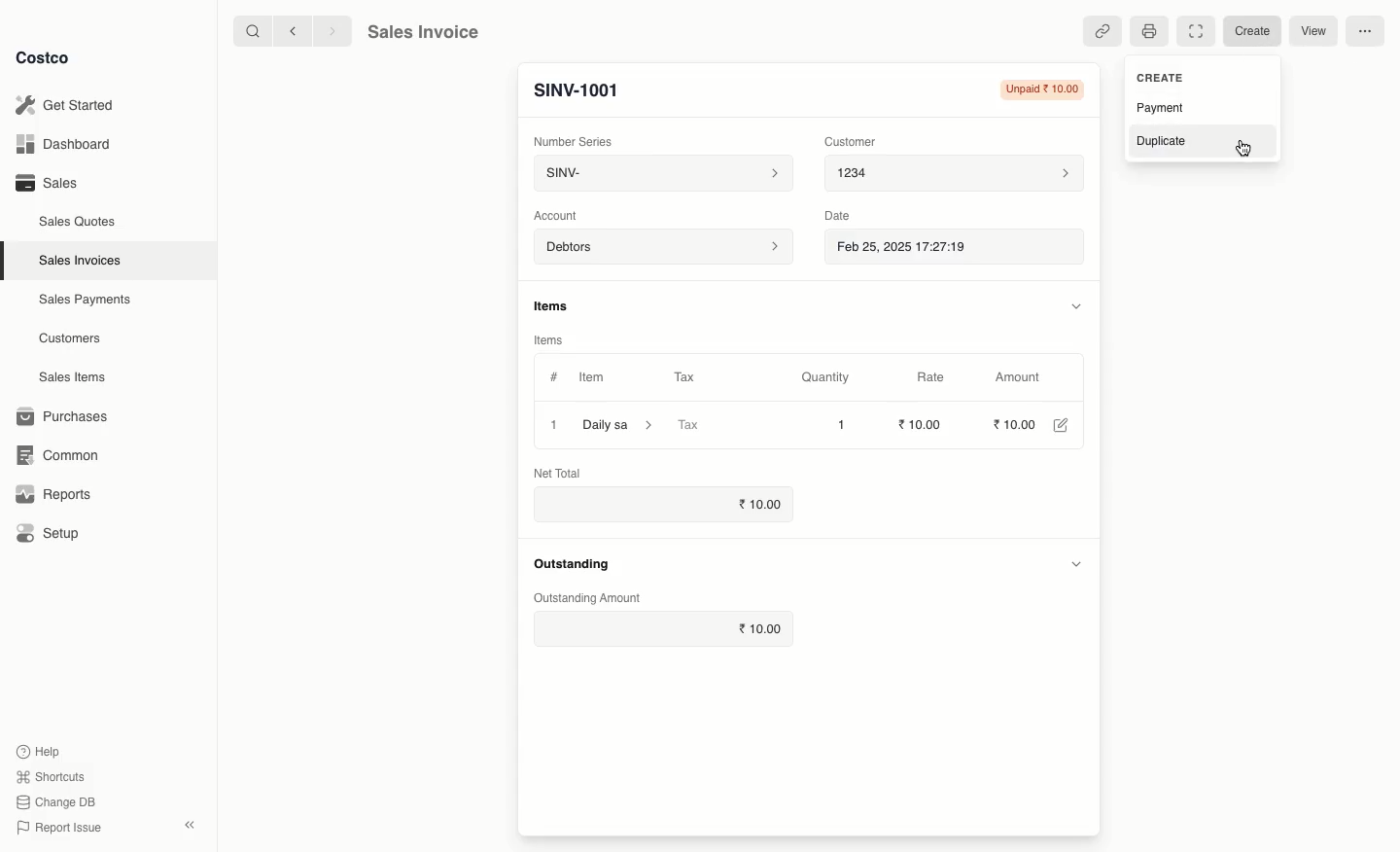  I want to click on Back, so click(288, 33).